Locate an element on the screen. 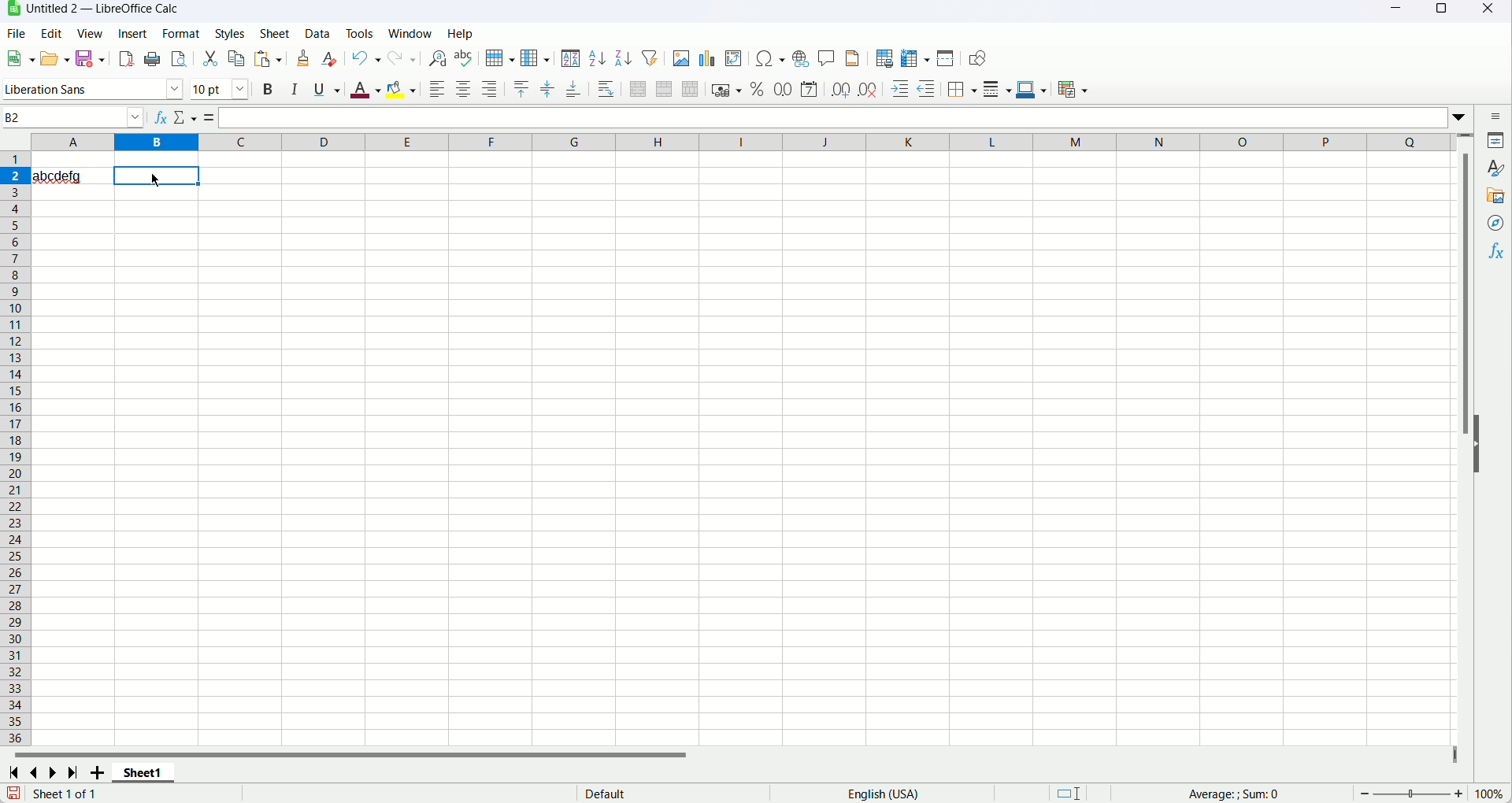 Image resolution: width=1512 pixels, height=803 pixels. save is located at coordinates (13, 793).